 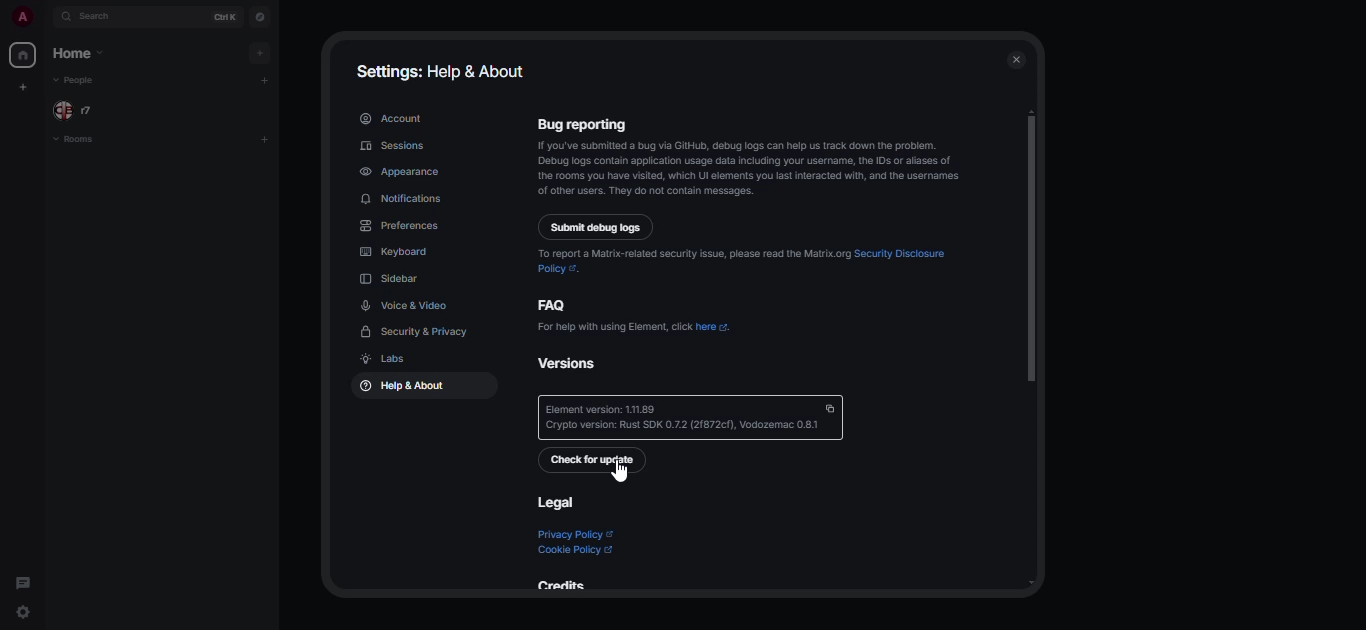 What do you see at coordinates (262, 15) in the screenshot?
I see `navigator` at bounding box center [262, 15].